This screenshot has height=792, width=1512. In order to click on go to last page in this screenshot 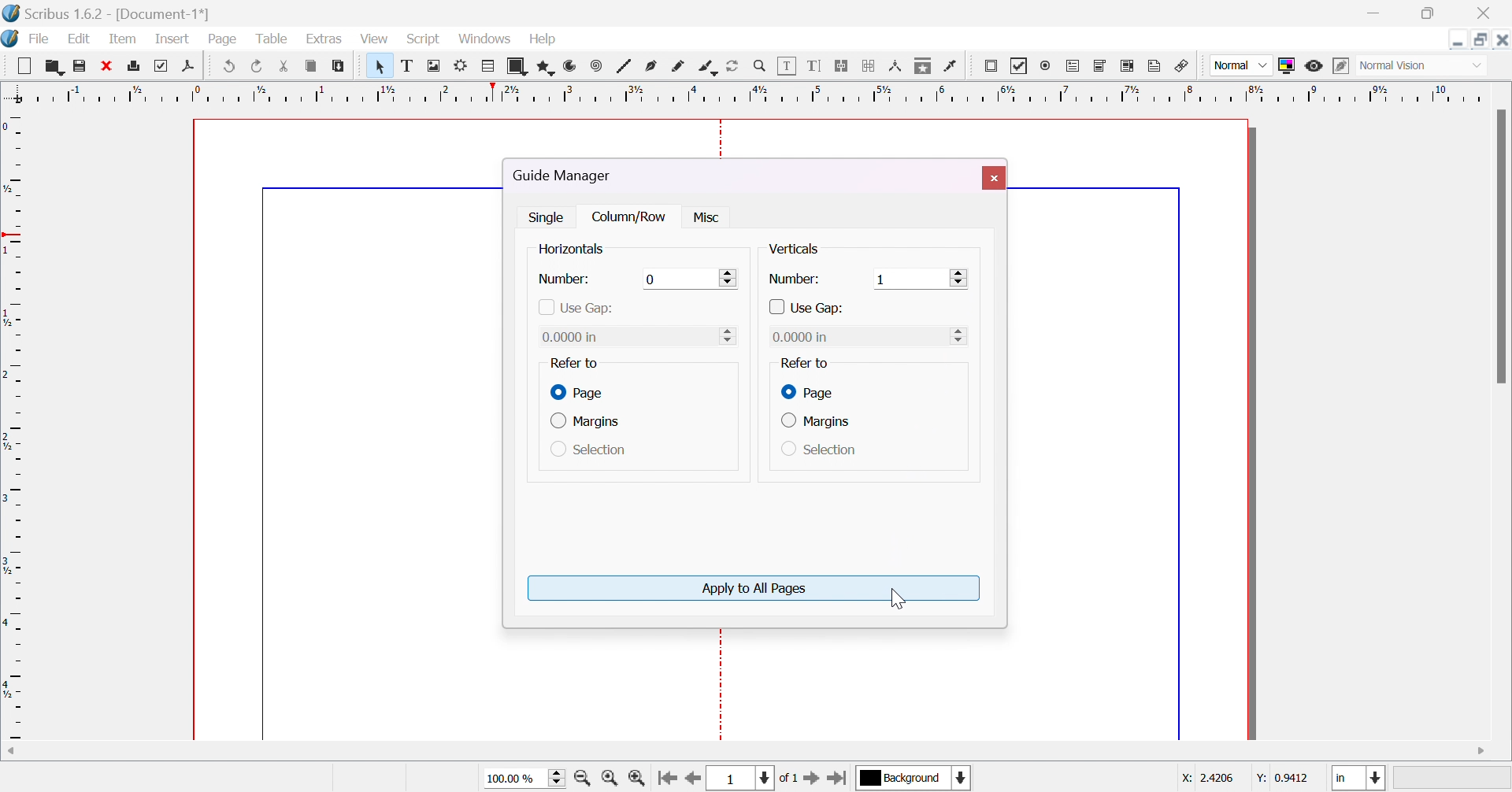, I will do `click(840, 777)`.